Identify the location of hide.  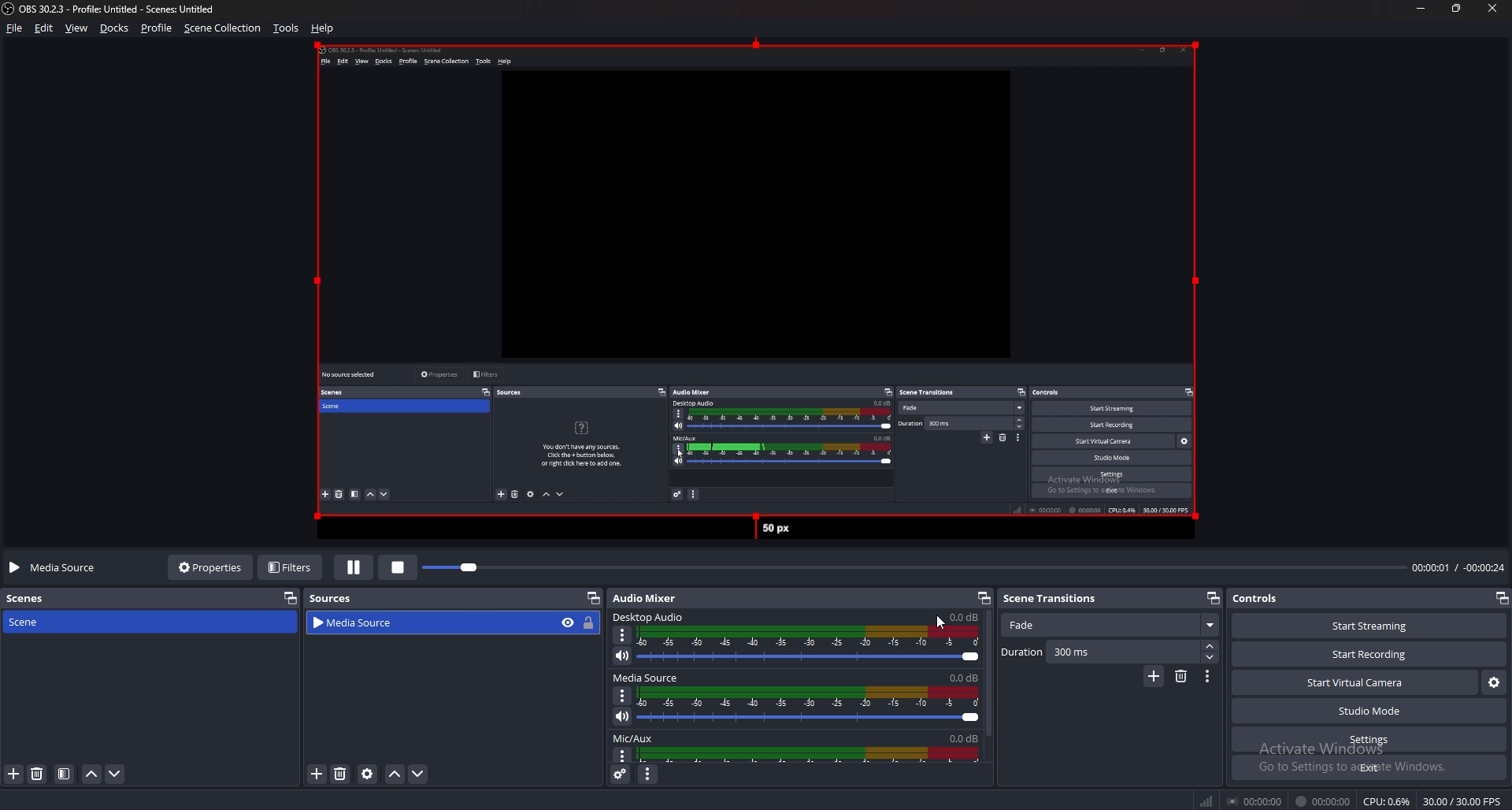
(567, 622).